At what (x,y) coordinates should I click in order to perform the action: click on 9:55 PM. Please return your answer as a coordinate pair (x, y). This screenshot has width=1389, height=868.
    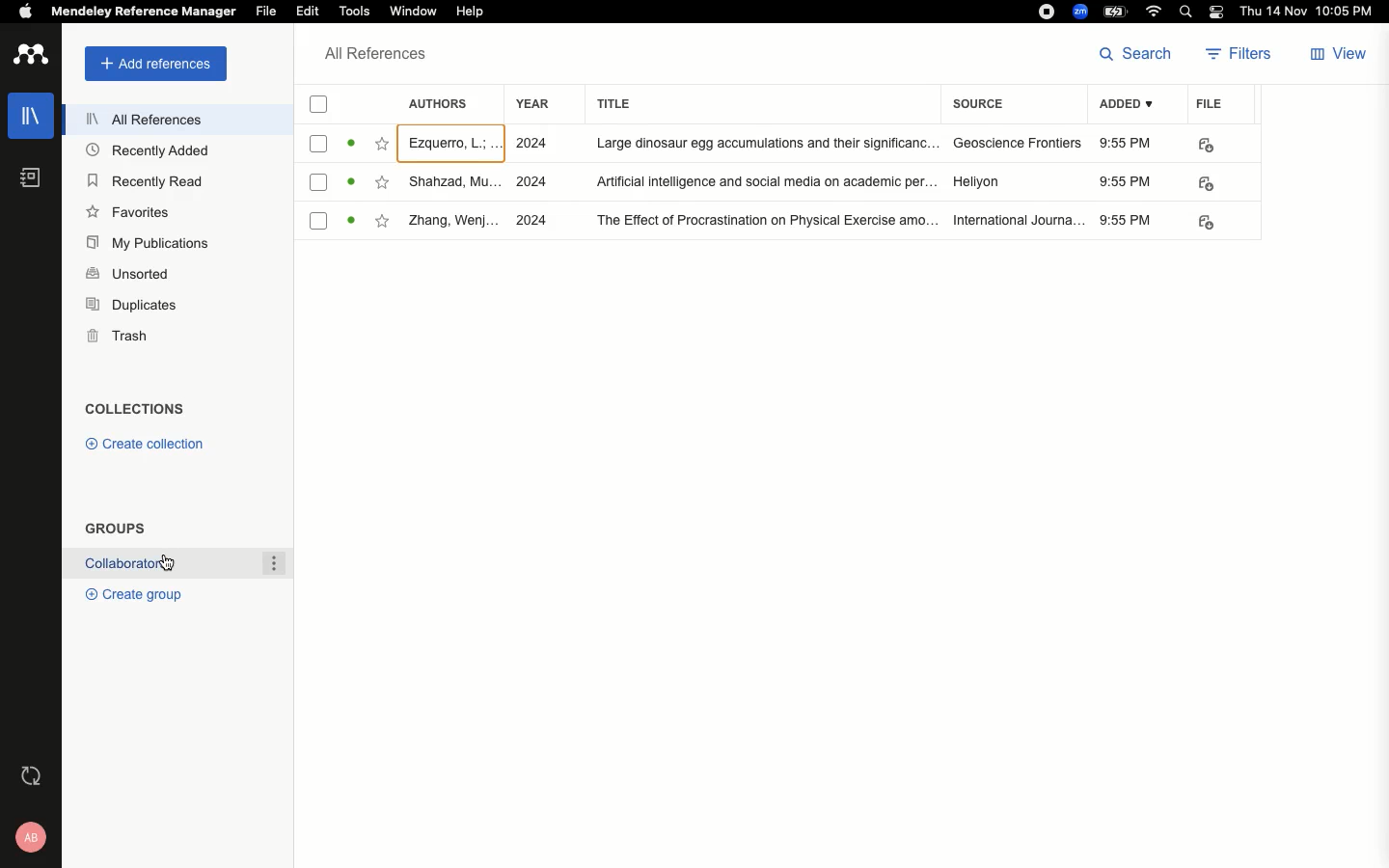
    Looking at the image, I should click on (1128, 221).